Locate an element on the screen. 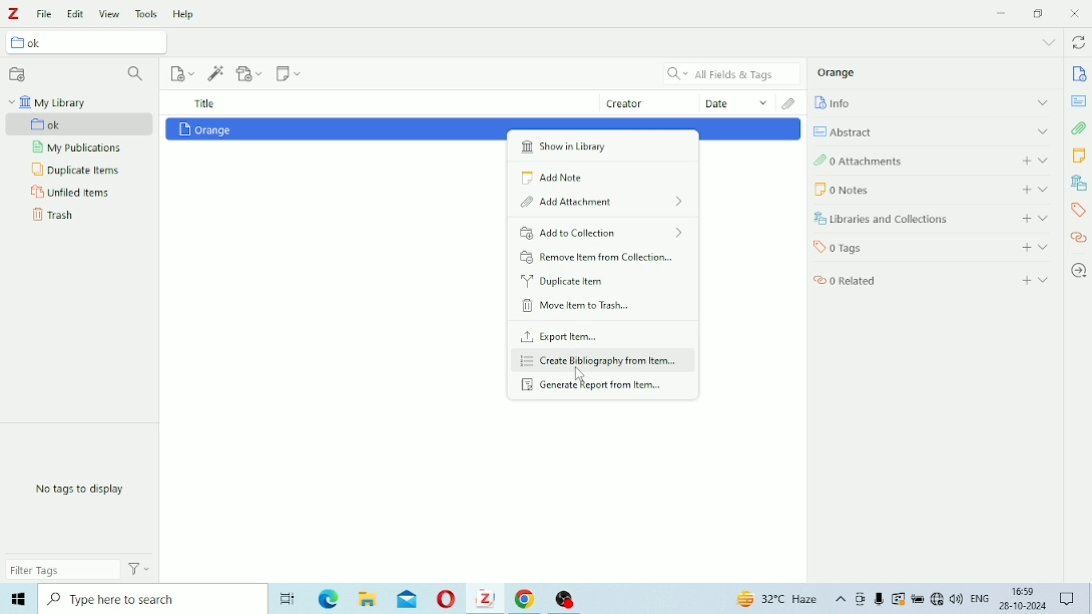 The width and height of the screenshot is (1092, 614). Trash is located at coordinates (53, 215).